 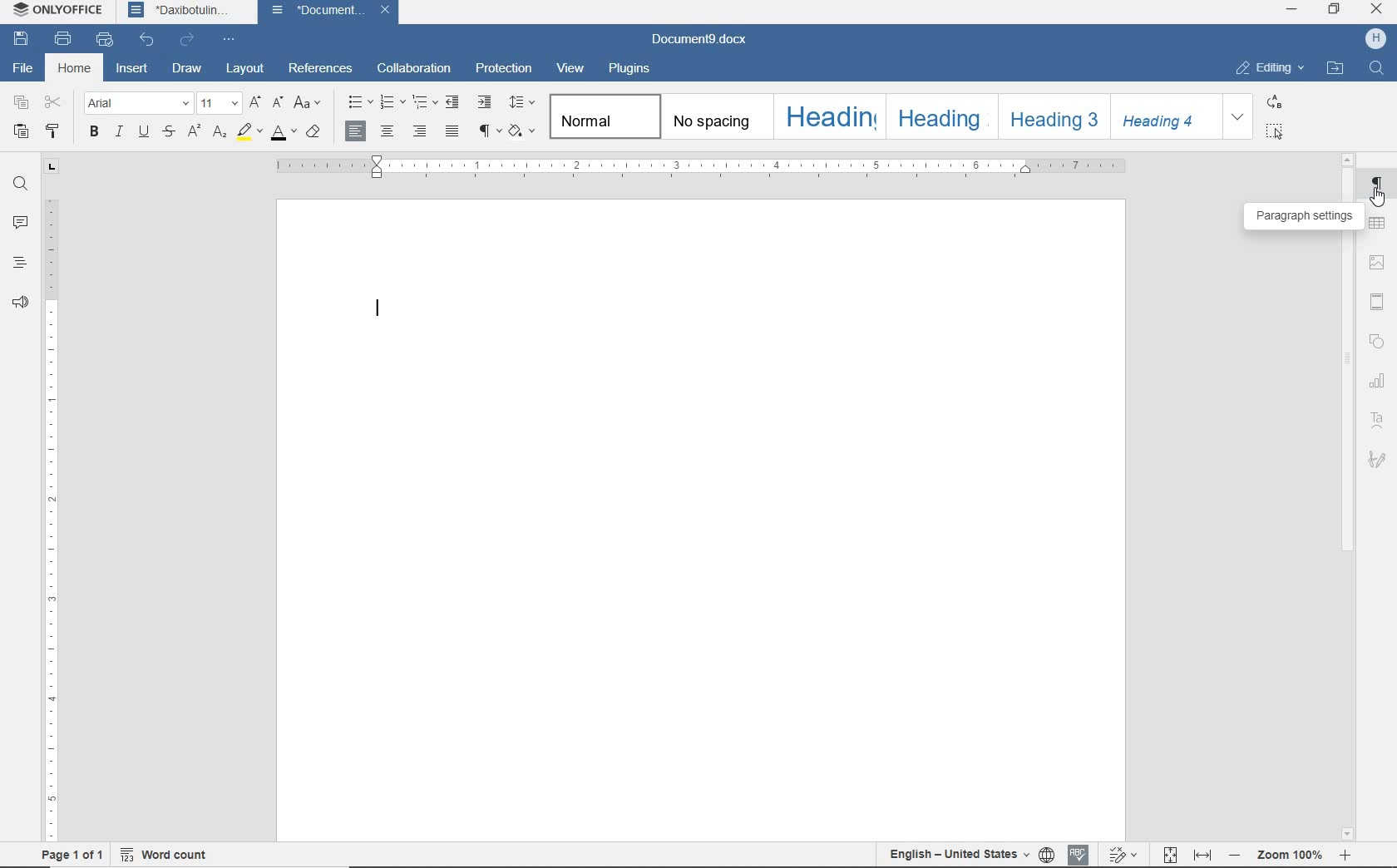 What do you see at coordinates (1239, 117) in the screenshot?
I see `EXPAND` at bounding box center [1239, 117].